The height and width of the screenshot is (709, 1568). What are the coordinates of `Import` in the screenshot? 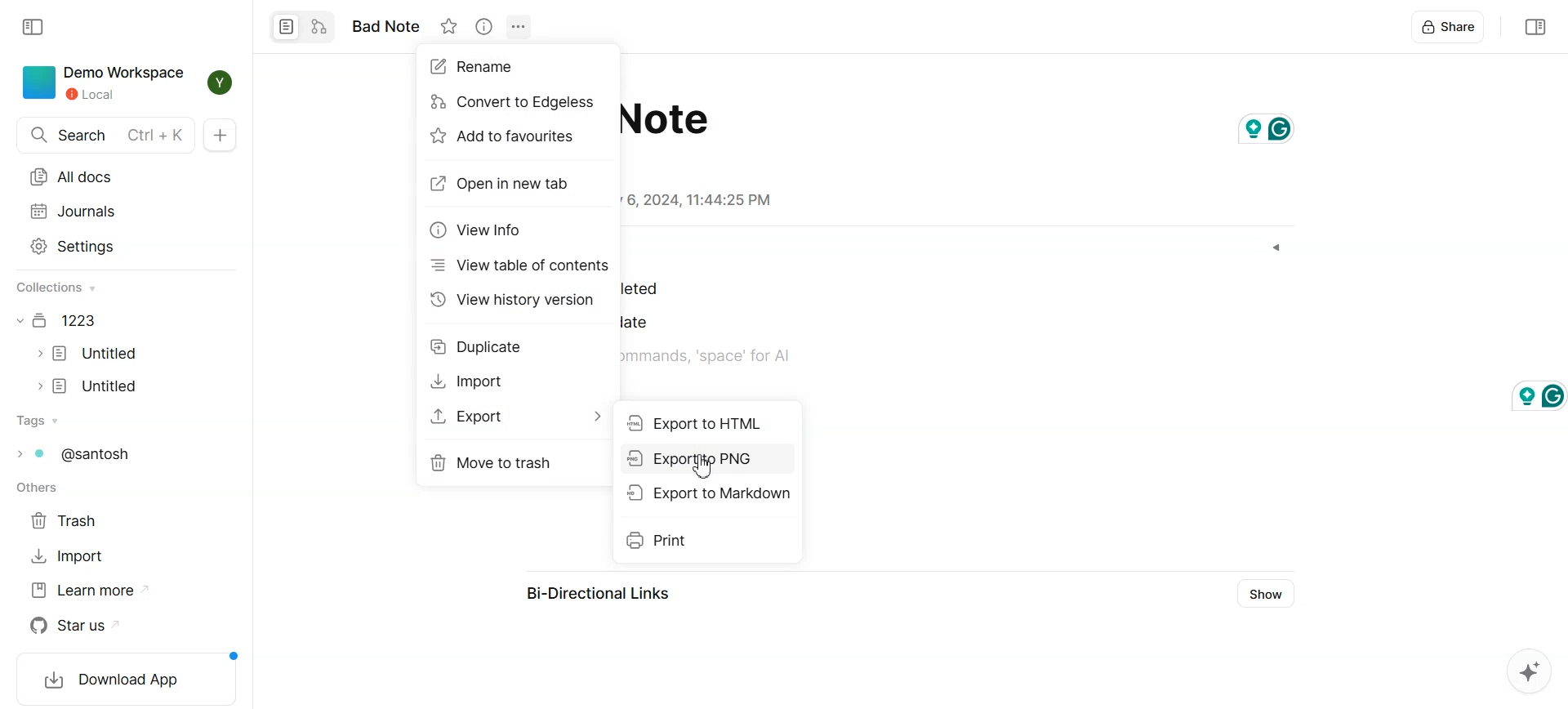 It's located at (482, 381).